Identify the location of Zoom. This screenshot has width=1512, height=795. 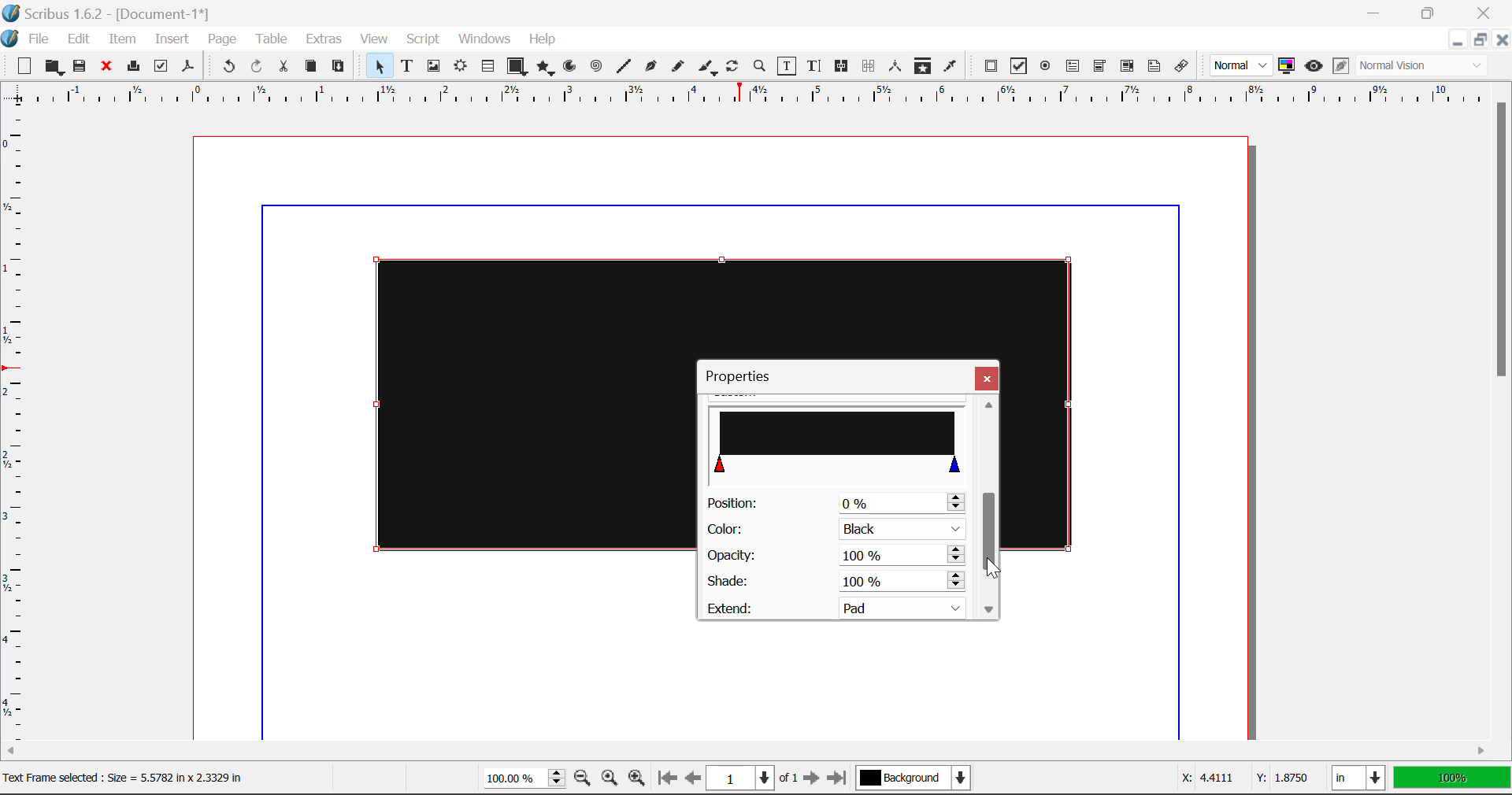
(760, 65).